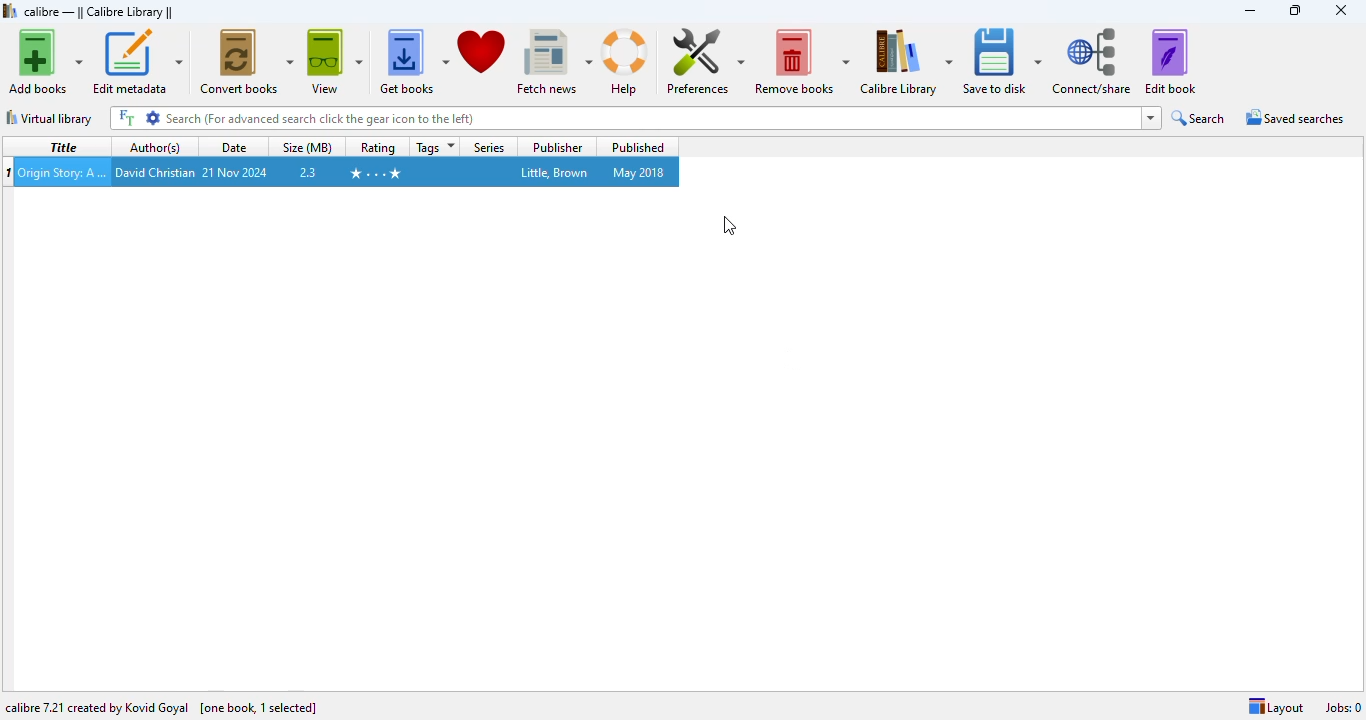  What do you see at coordinates (489, 148) in the screenshot?
I see `series` at bounding box center [489, 148].